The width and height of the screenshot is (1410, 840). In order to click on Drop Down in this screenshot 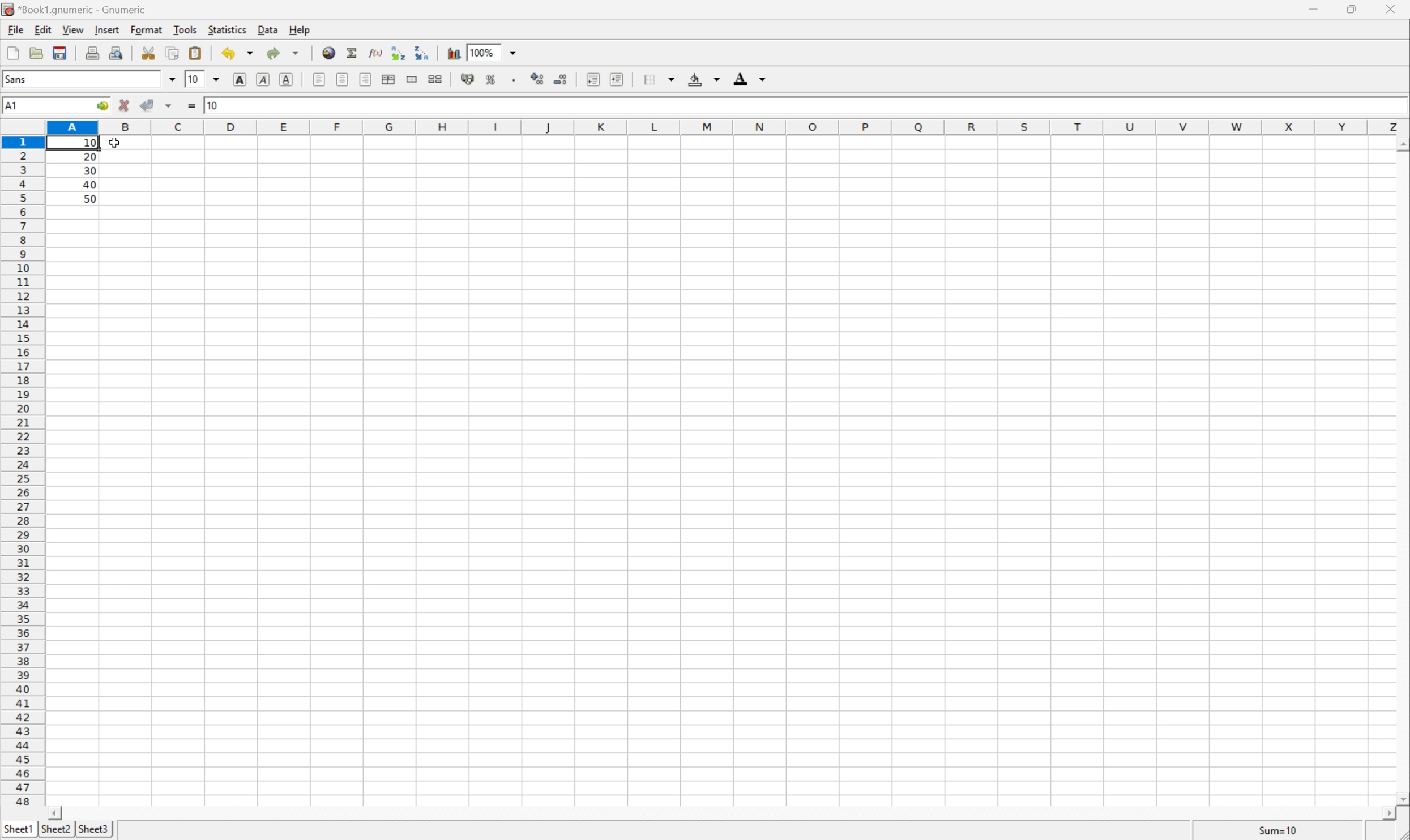, I will do `click(215, 80)`.